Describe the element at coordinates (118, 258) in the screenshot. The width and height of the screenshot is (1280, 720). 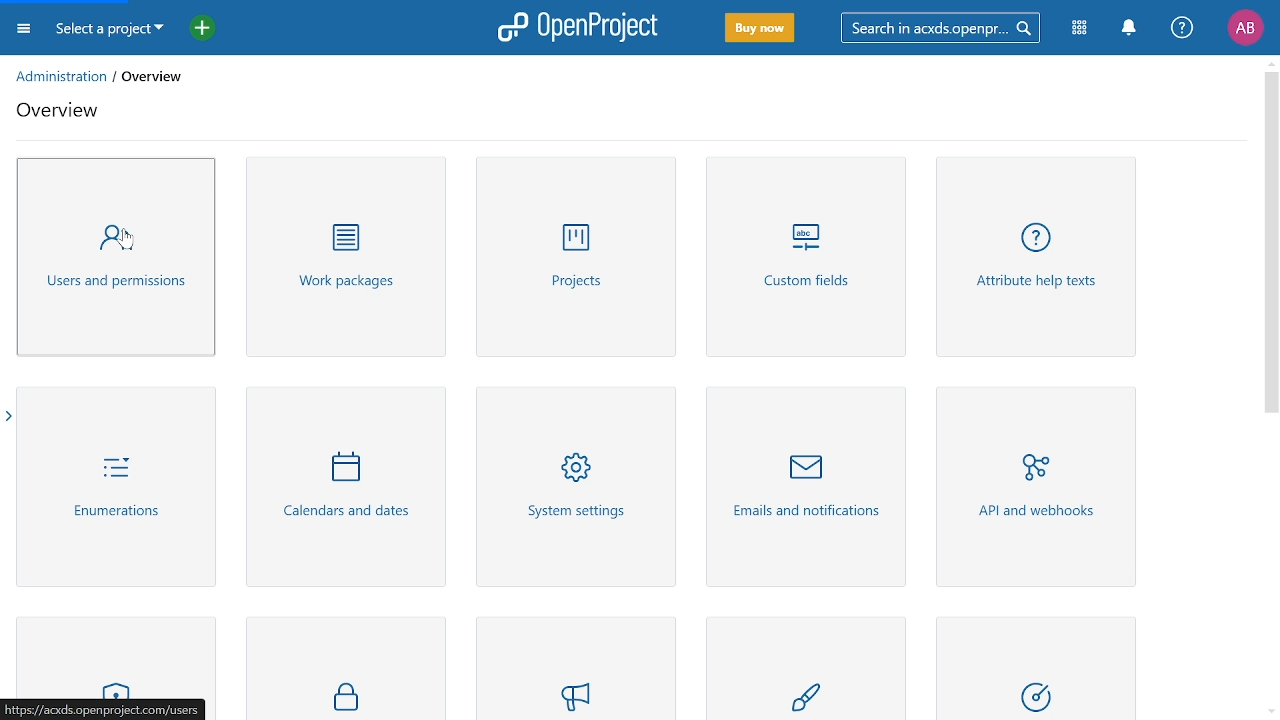
I see `users and permission` at that location.